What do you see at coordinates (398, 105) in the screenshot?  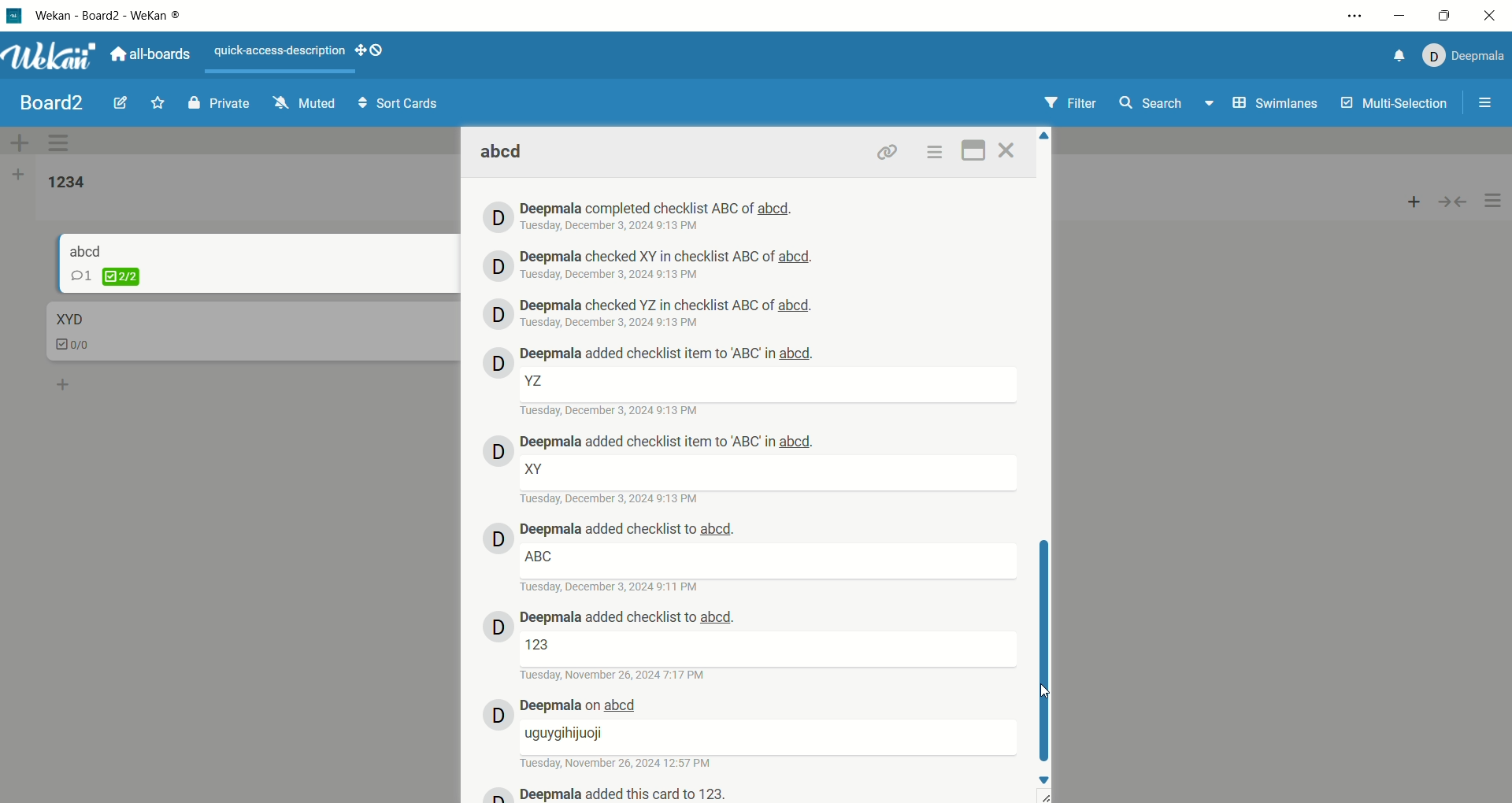 I see `sort cards` at bounding box center [398, 105].